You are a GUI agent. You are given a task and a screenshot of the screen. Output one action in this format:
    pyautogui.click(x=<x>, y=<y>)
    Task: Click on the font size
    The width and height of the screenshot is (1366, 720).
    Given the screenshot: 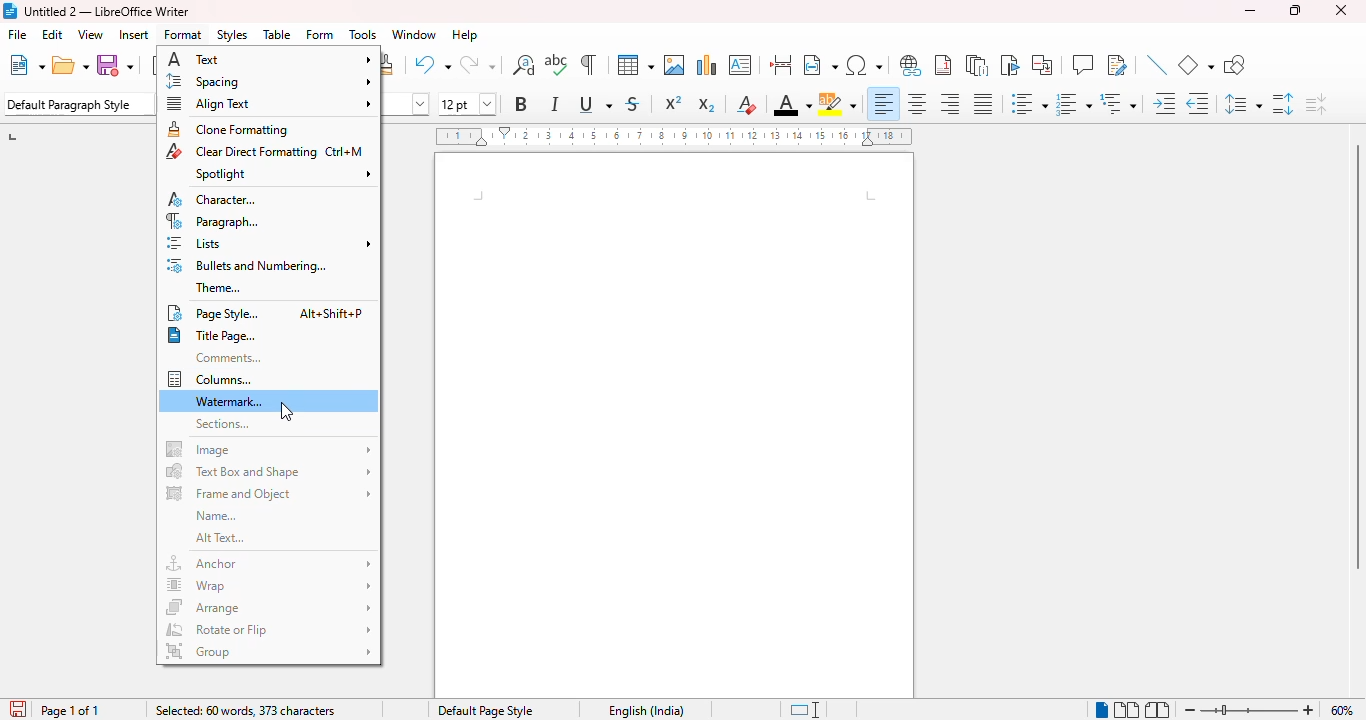 What is the action you would take?
    pyautogui.click(x=466, y=104)
    